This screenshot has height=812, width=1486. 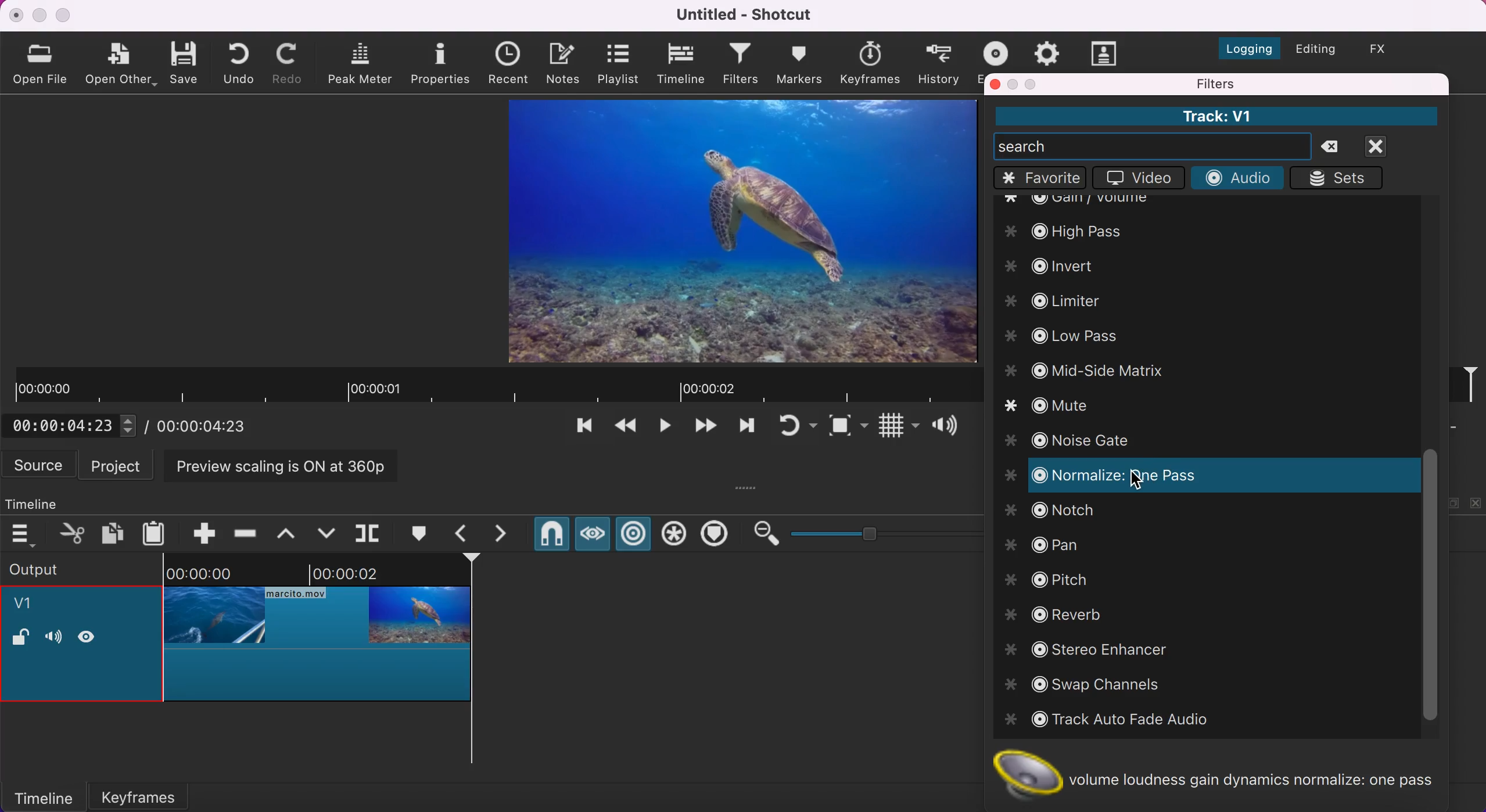 I want to click on switch to the logging layout, so click(x=1243, y=45).